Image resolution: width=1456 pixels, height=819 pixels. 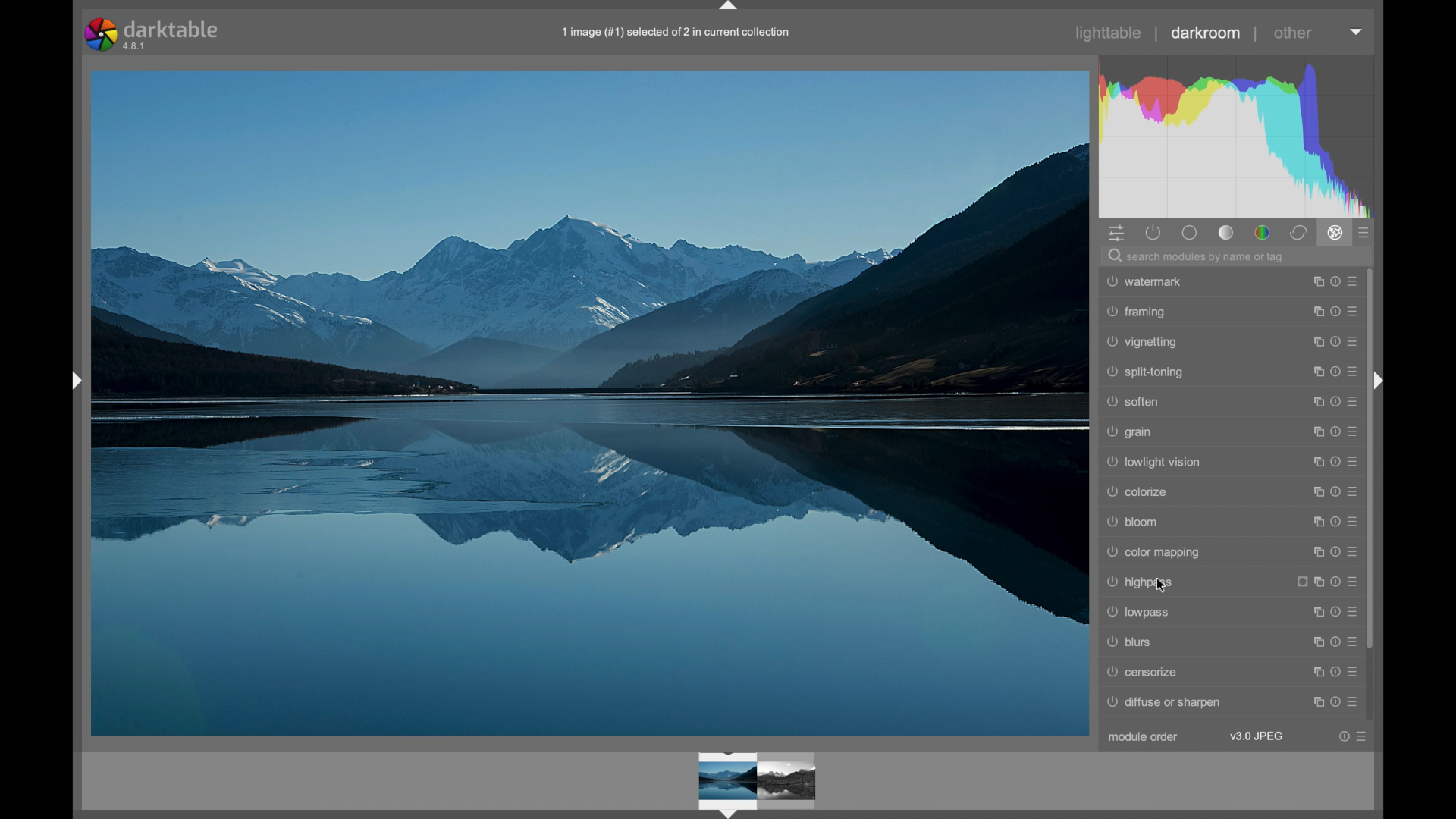 What do you see at coordinates (1333, 642) in the screenshot?
I see `more options` at bounding box center [1333, 642].